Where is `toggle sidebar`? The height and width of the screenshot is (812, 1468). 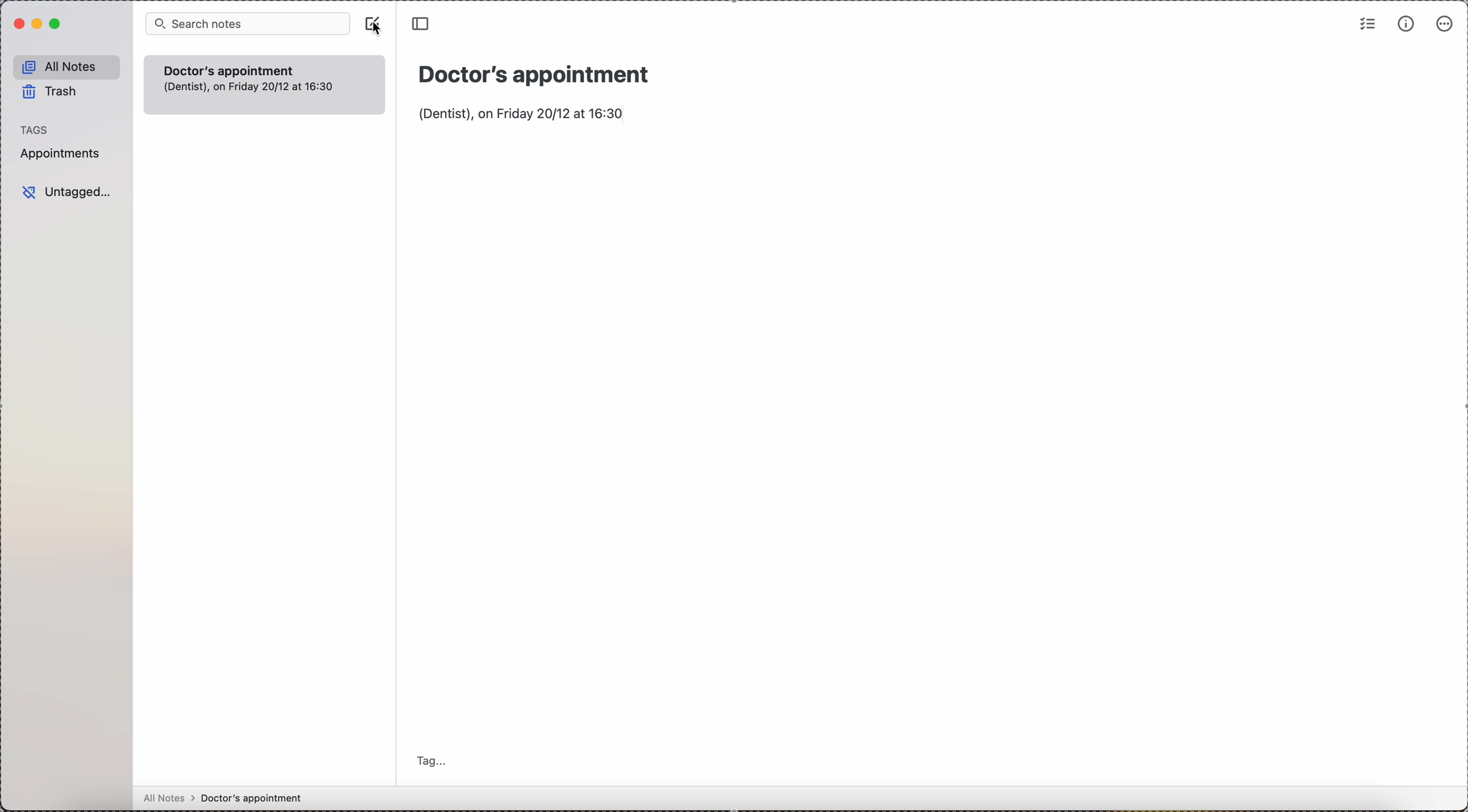 toggle sidebar is located at coordinates (419, 22).